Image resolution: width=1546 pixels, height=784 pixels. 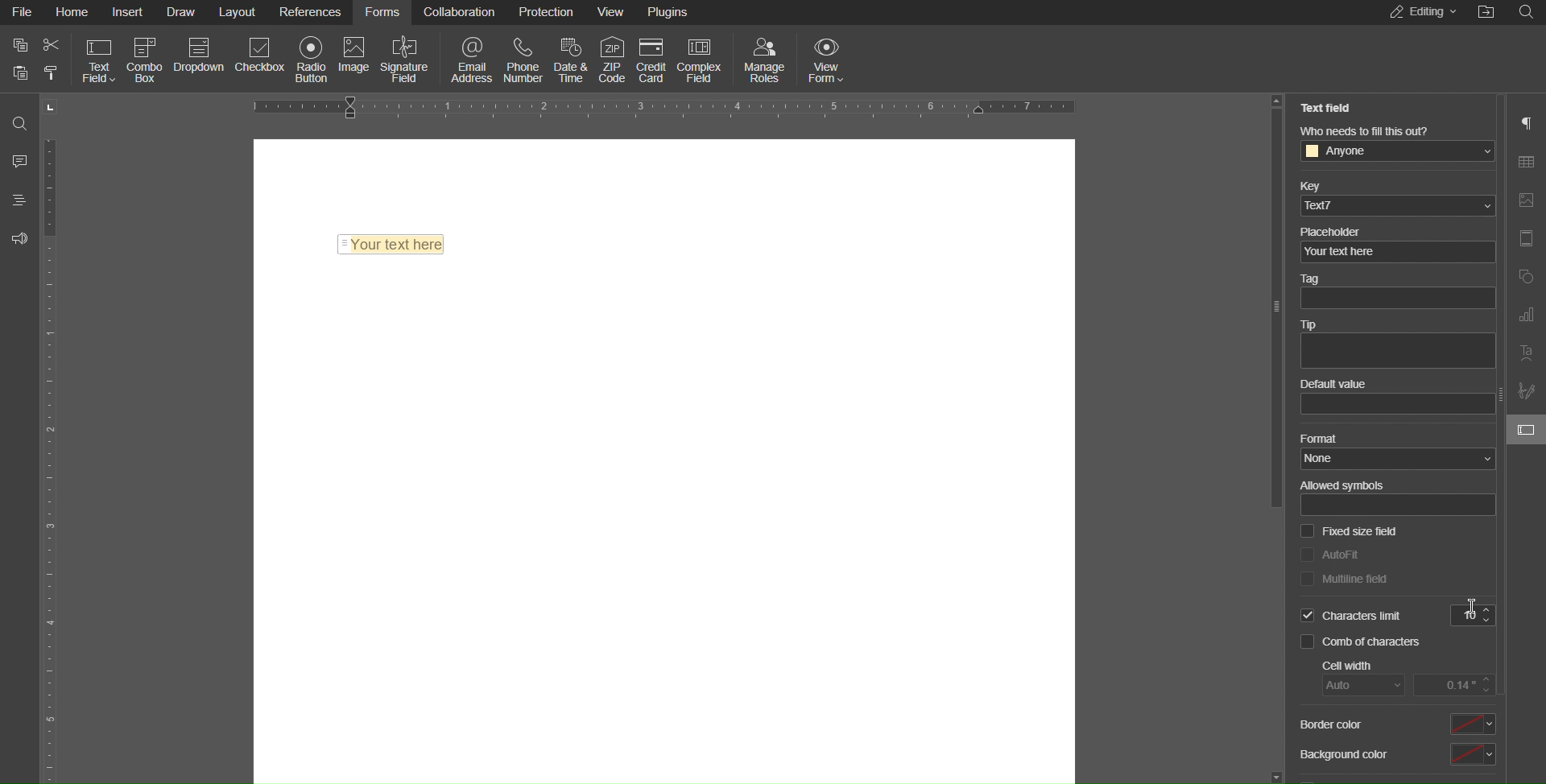 What do you see at coordinates (1527, 163) in the screenshot?
I see `Table Settings` at bounding box center [1527, 163].